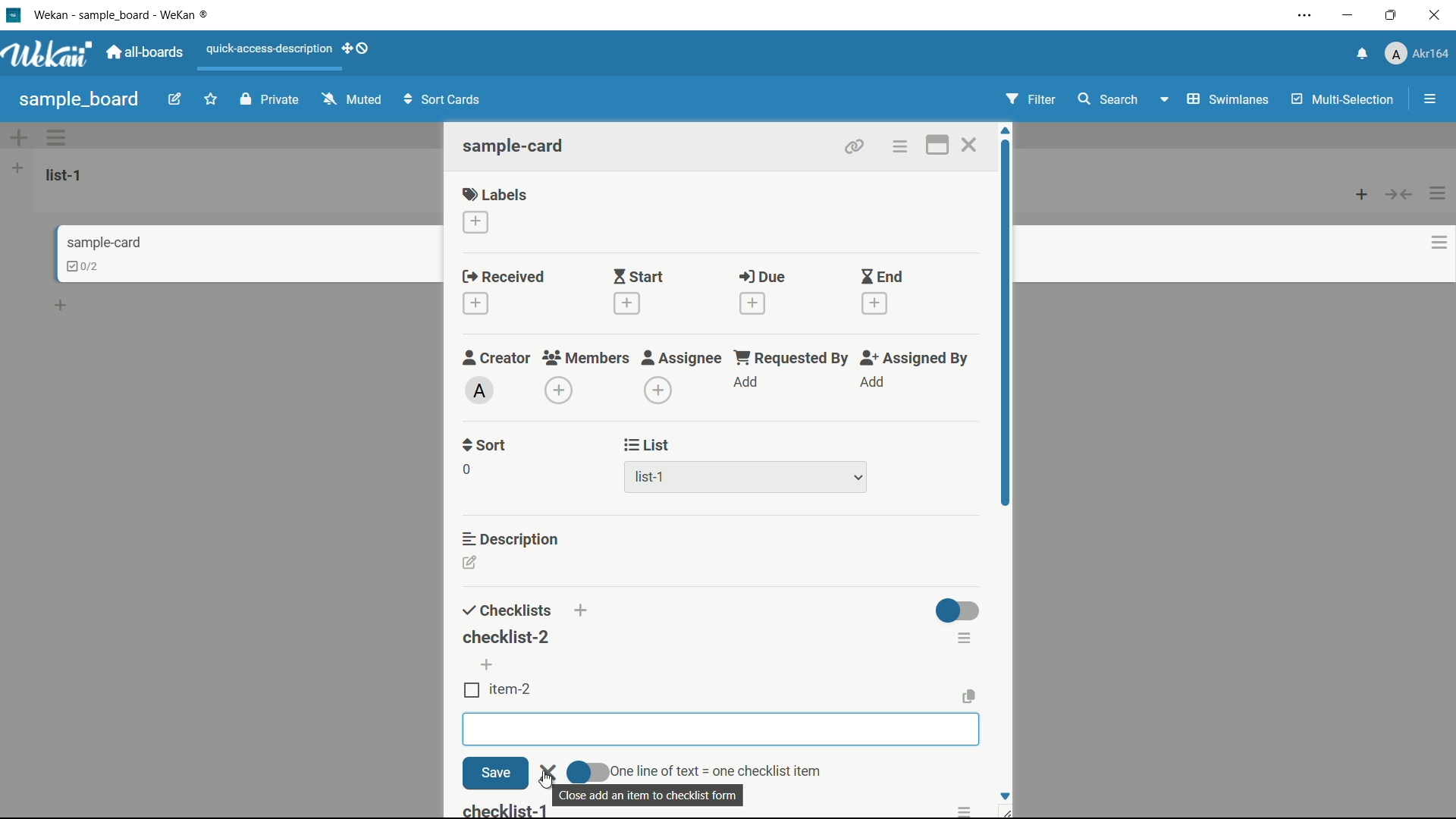 Image resolution: width=1456 pixels, height=819 pixels. Describe the element at coordinates (966, 635) in the screenshot. I see `checklist actions` at that location.